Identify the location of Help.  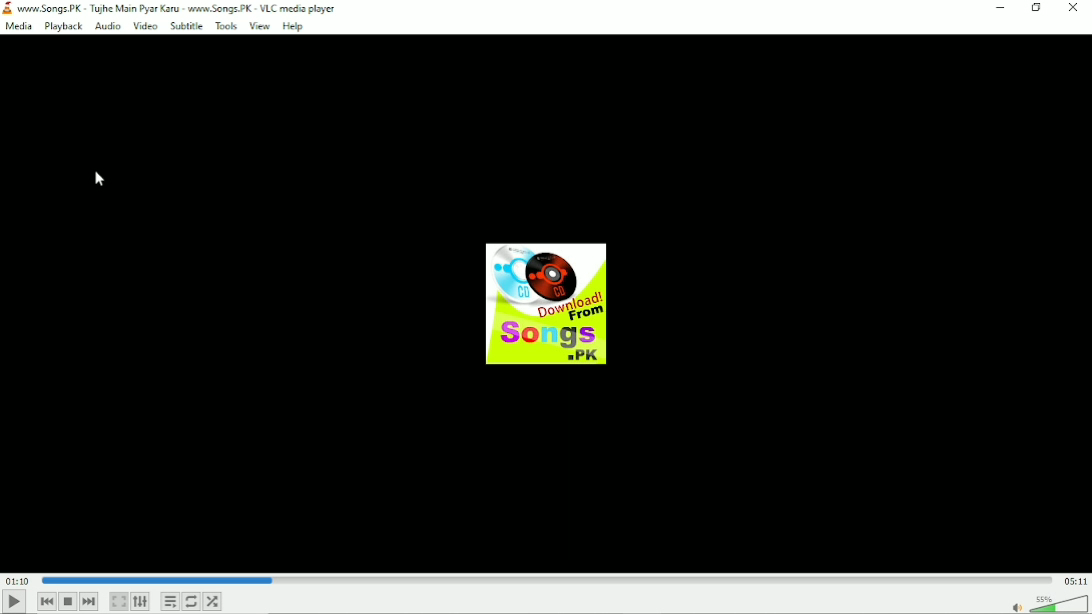
(294, 27).